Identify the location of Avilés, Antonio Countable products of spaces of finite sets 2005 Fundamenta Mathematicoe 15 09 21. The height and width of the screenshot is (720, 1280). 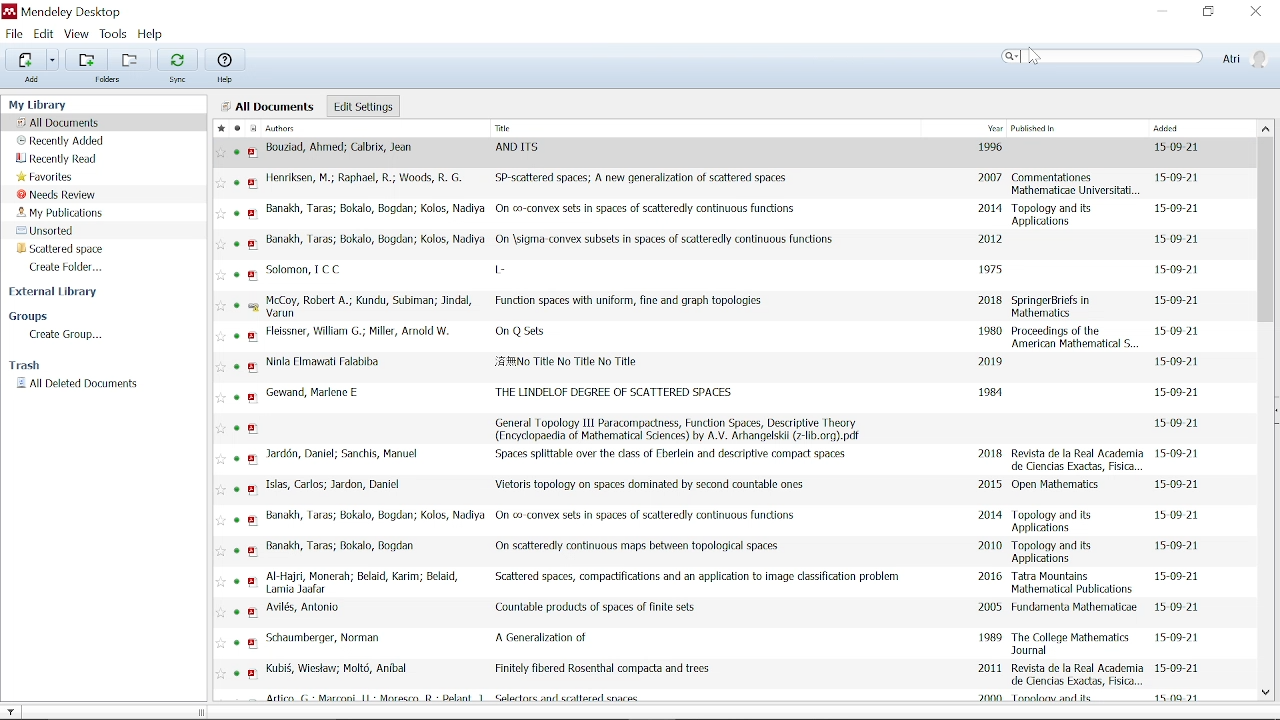
(727, 613).